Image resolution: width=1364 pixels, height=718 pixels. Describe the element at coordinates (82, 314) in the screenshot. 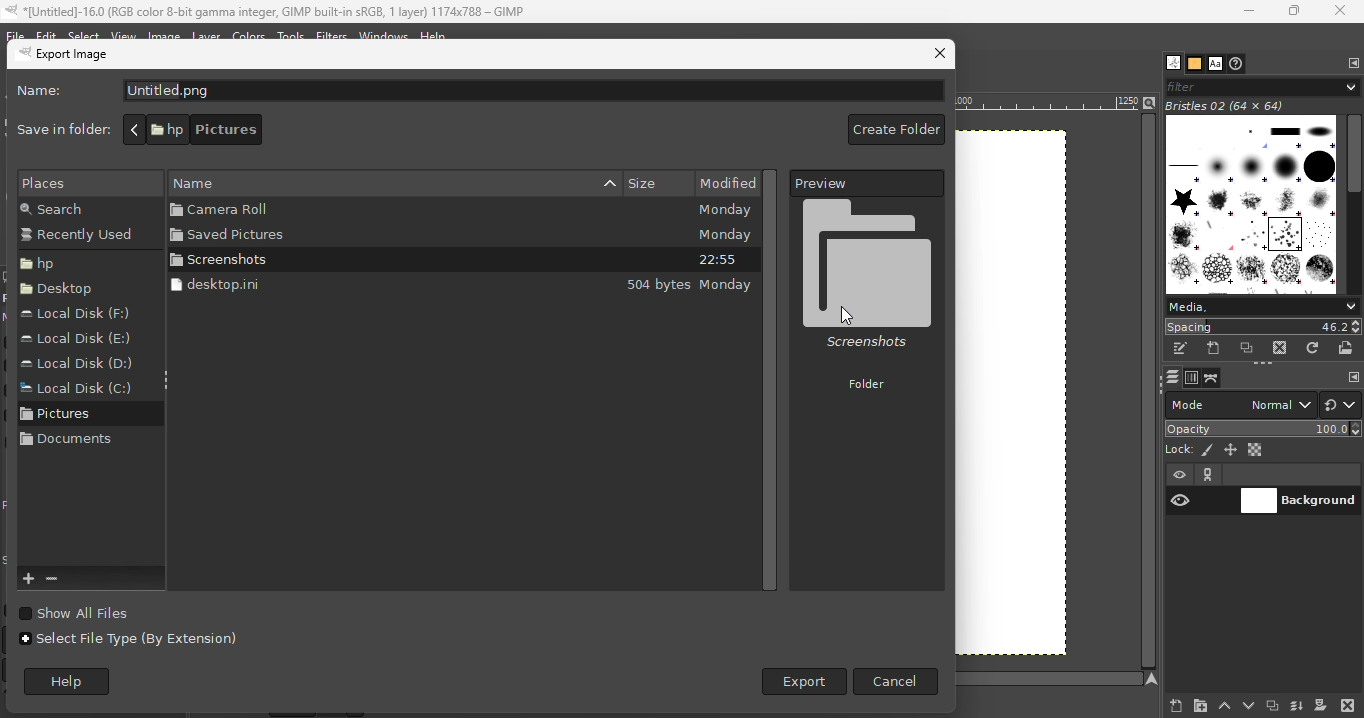

I see `Local dsk (F:)` at that location.